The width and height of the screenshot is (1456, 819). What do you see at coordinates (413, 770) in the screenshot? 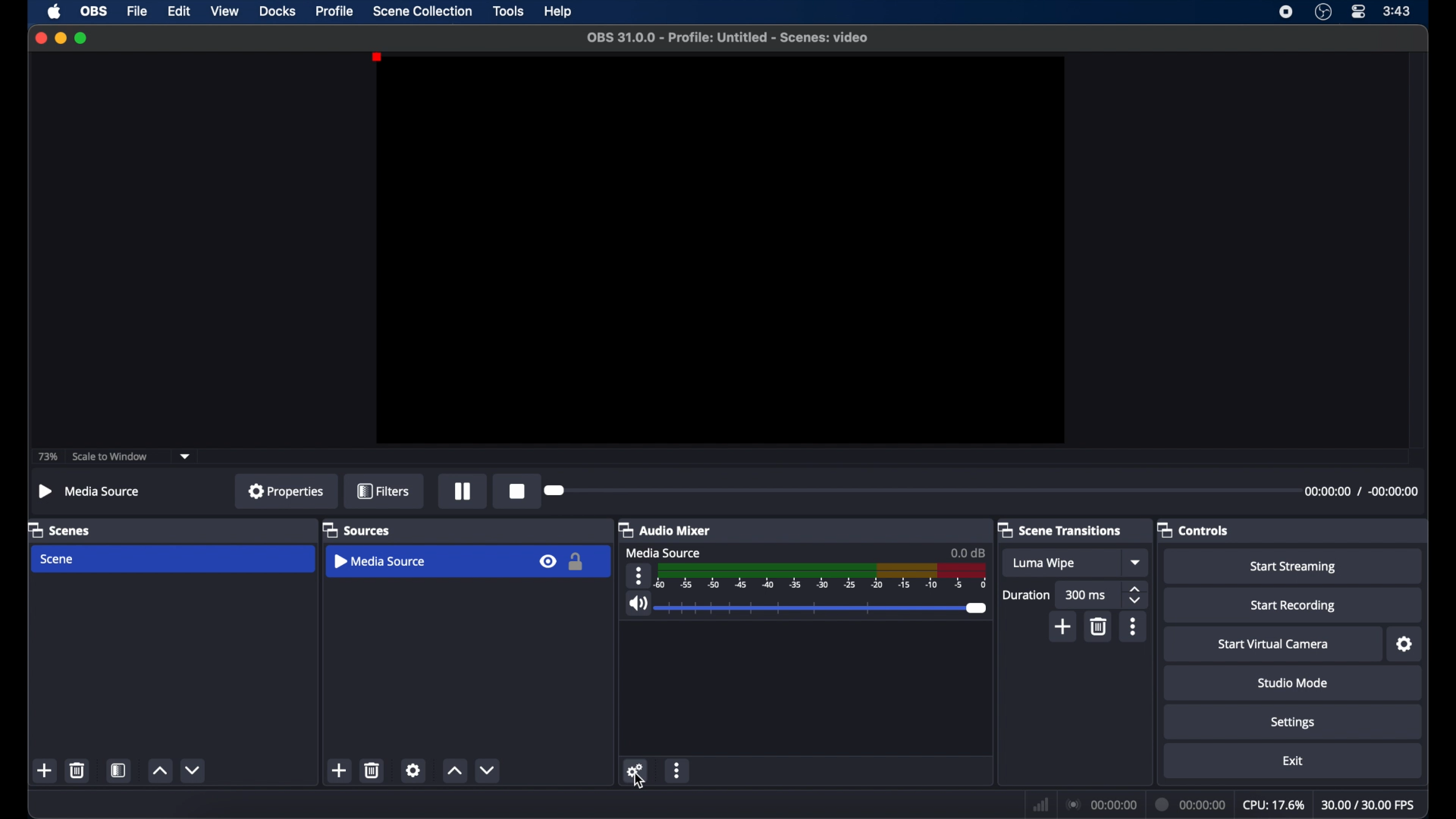
I see `settings` at bounding box center [413, 770].